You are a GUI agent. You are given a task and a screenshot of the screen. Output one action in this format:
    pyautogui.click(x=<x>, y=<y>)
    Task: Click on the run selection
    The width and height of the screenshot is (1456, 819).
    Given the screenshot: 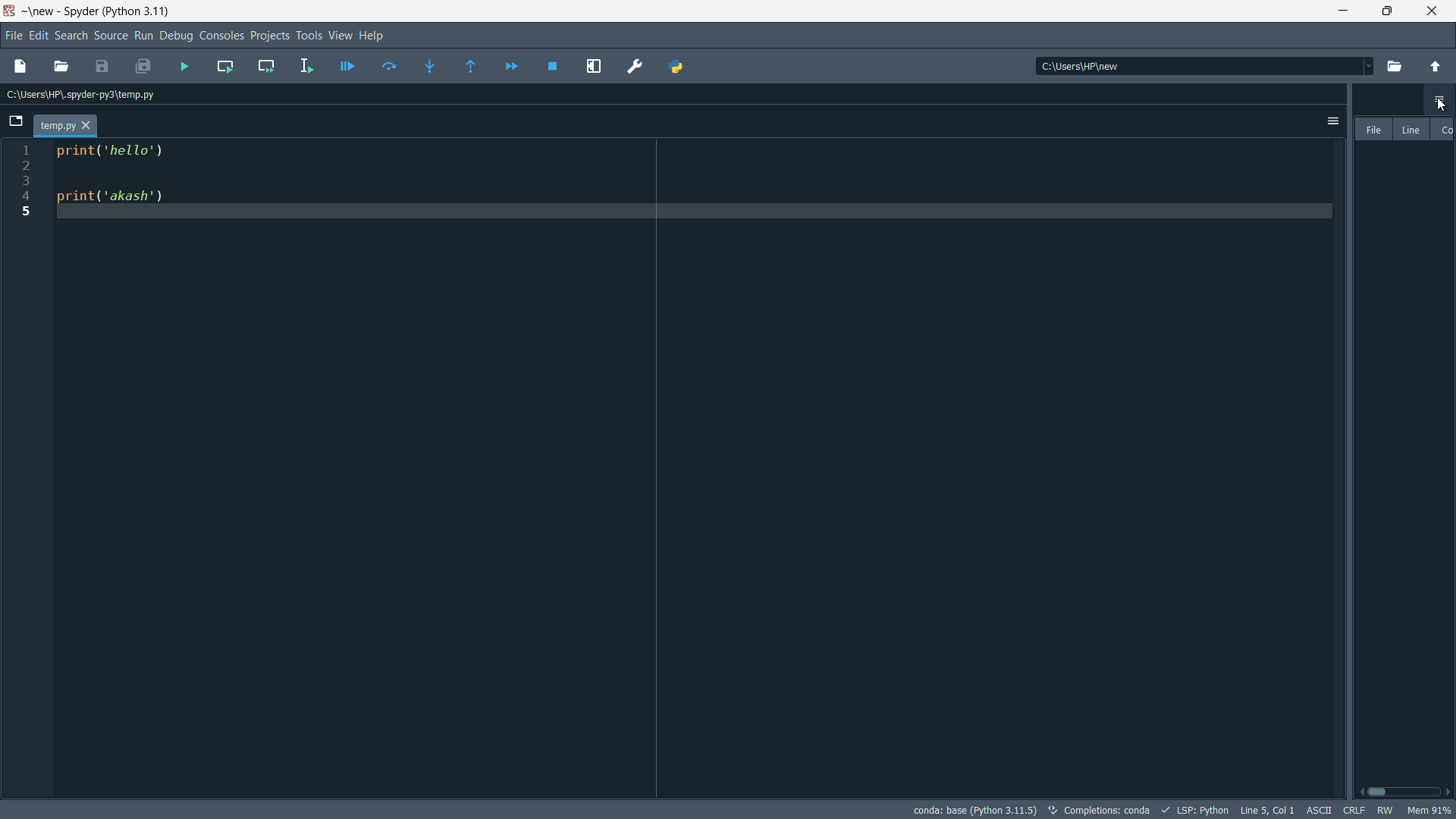 What is the action you would take?
    pyautogui.click(x=303, y=65)
    